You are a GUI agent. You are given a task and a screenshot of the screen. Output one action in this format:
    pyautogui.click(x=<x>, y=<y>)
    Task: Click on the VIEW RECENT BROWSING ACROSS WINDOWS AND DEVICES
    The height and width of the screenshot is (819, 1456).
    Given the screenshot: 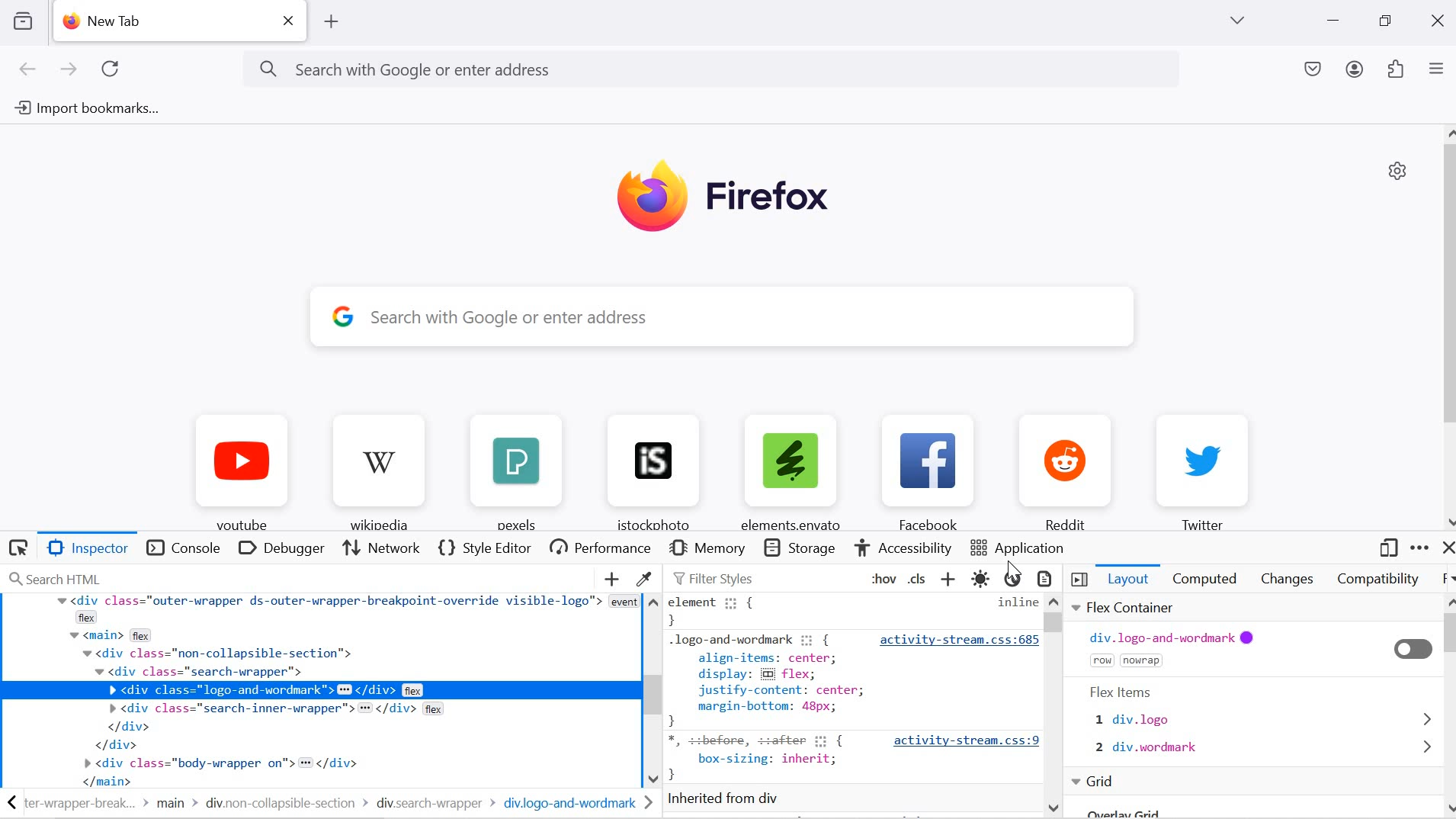 What is the action you would take?
    pyautogui.click(x=25, y=24)
    